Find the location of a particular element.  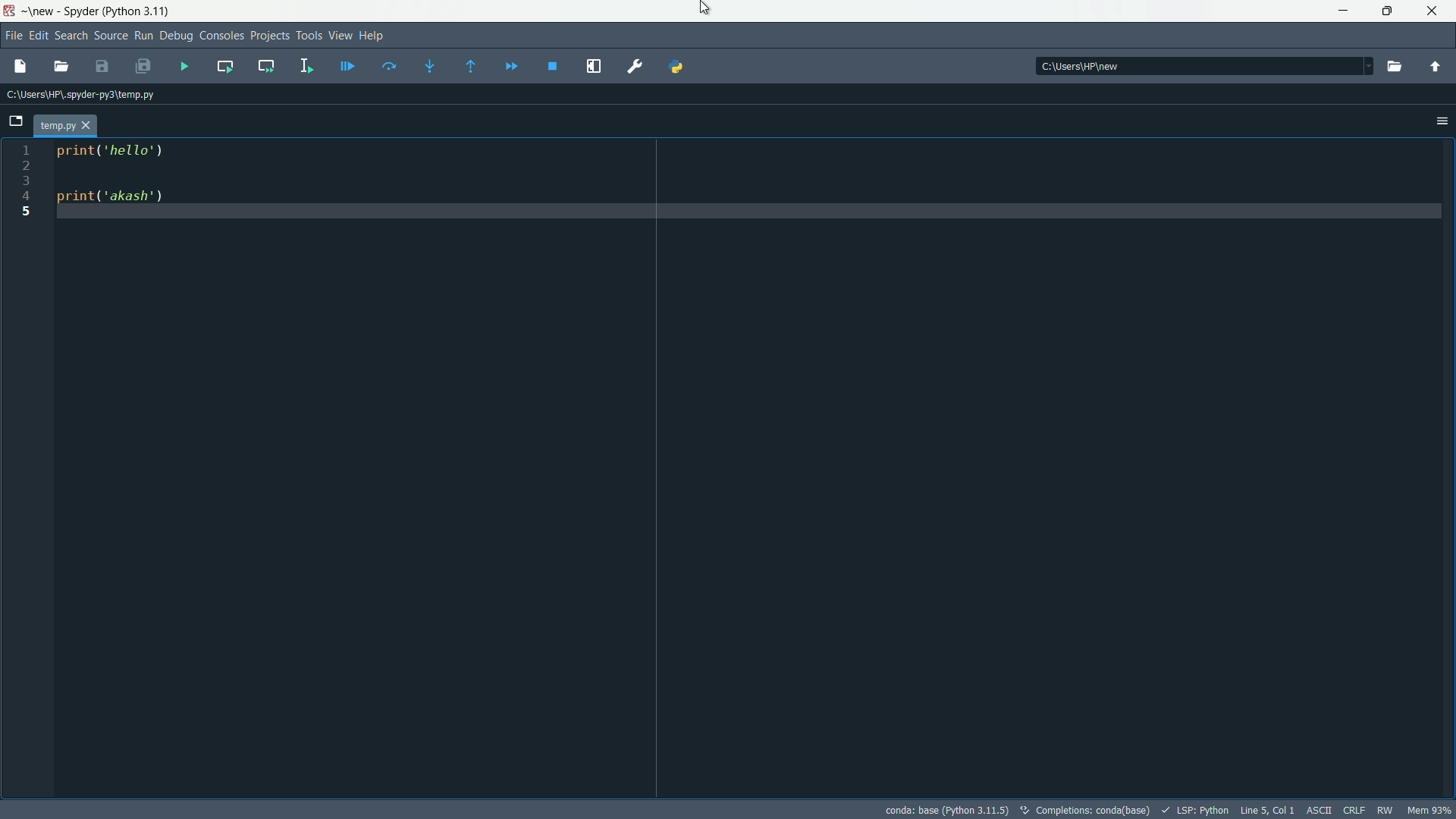

file name is located at coordinates (64, 127).